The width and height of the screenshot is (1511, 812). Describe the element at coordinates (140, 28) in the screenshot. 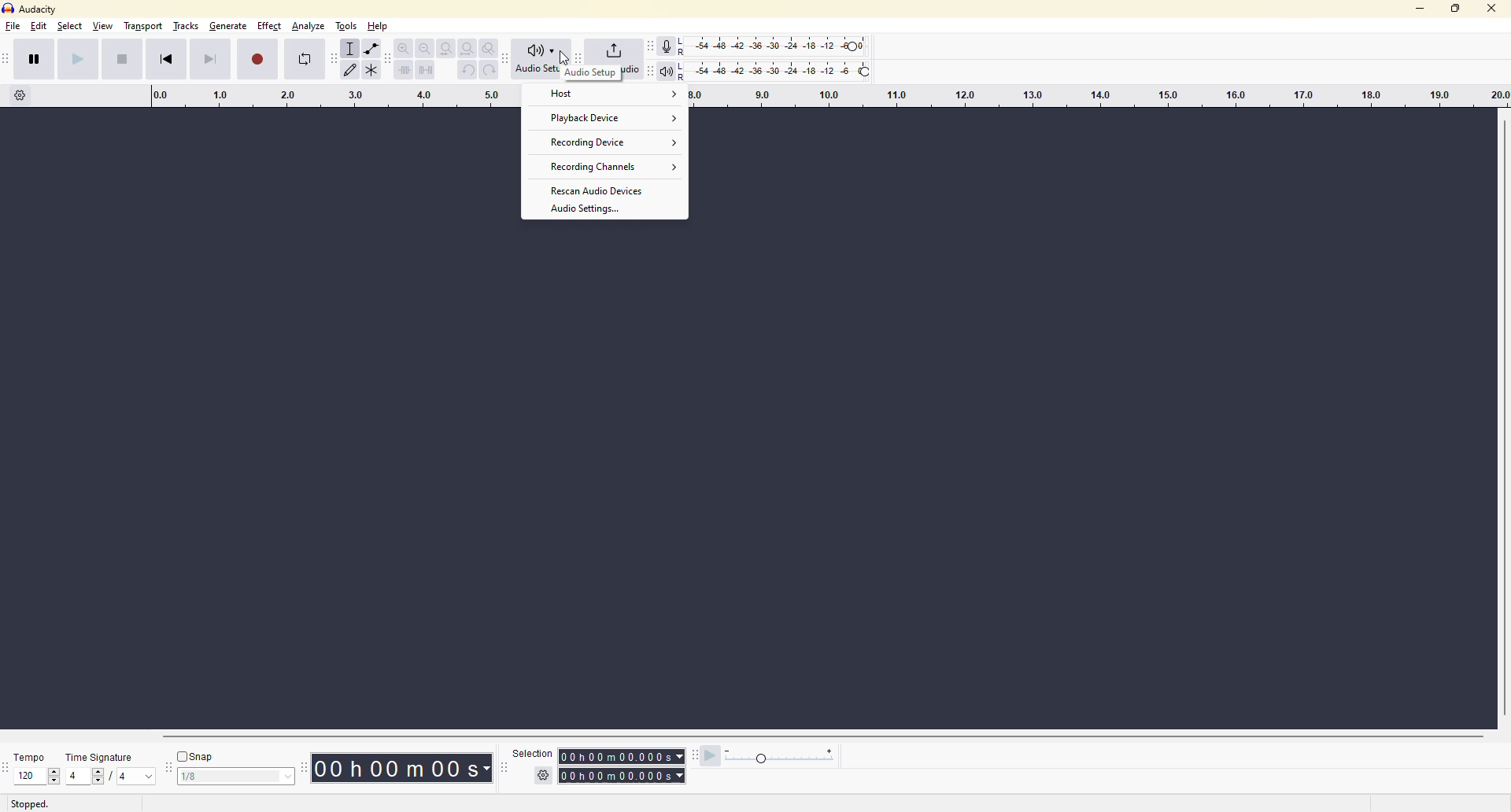

I see `transport` at that location.